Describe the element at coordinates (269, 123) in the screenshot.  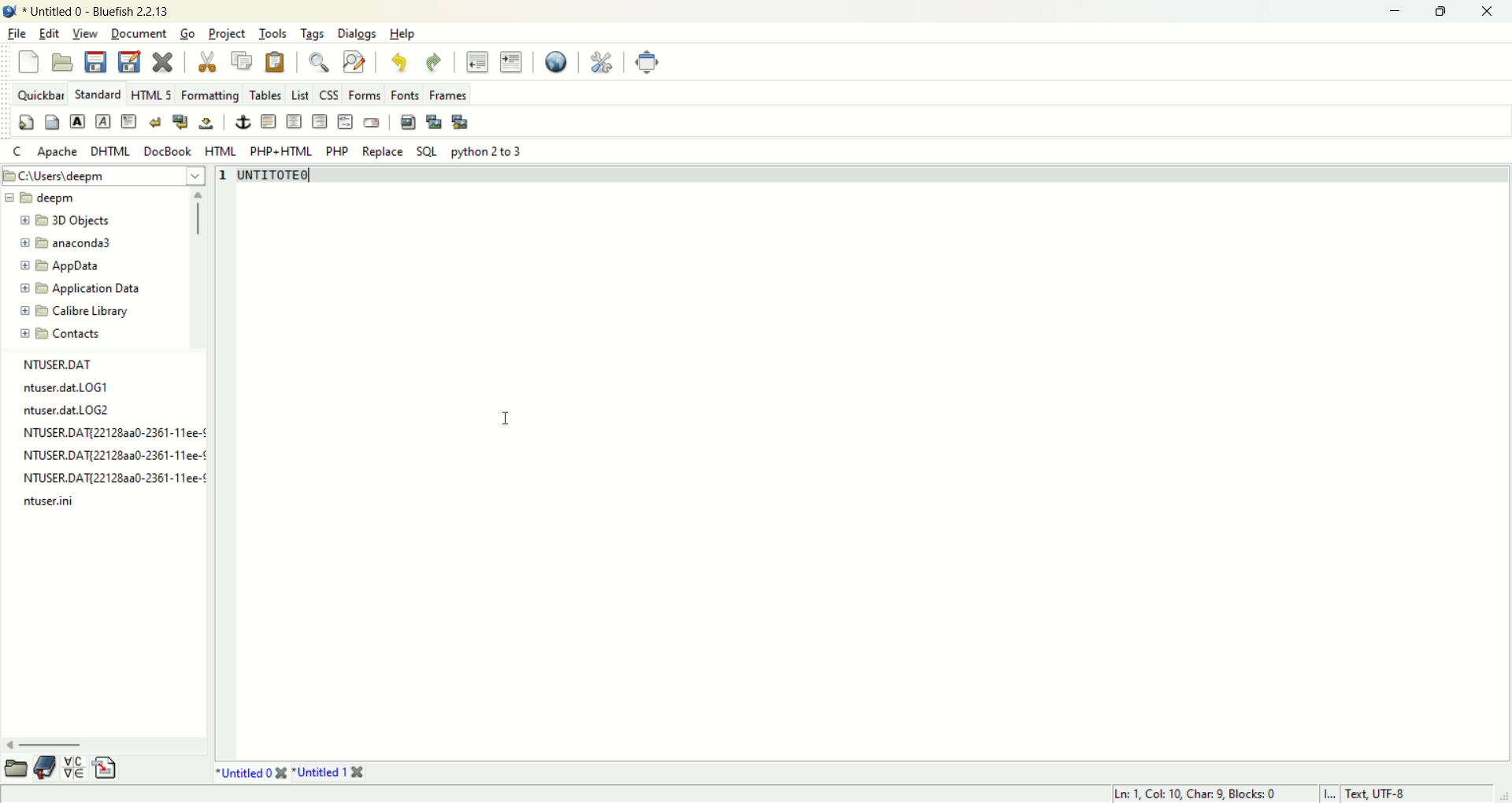
I see `horizontal rule` at that location.